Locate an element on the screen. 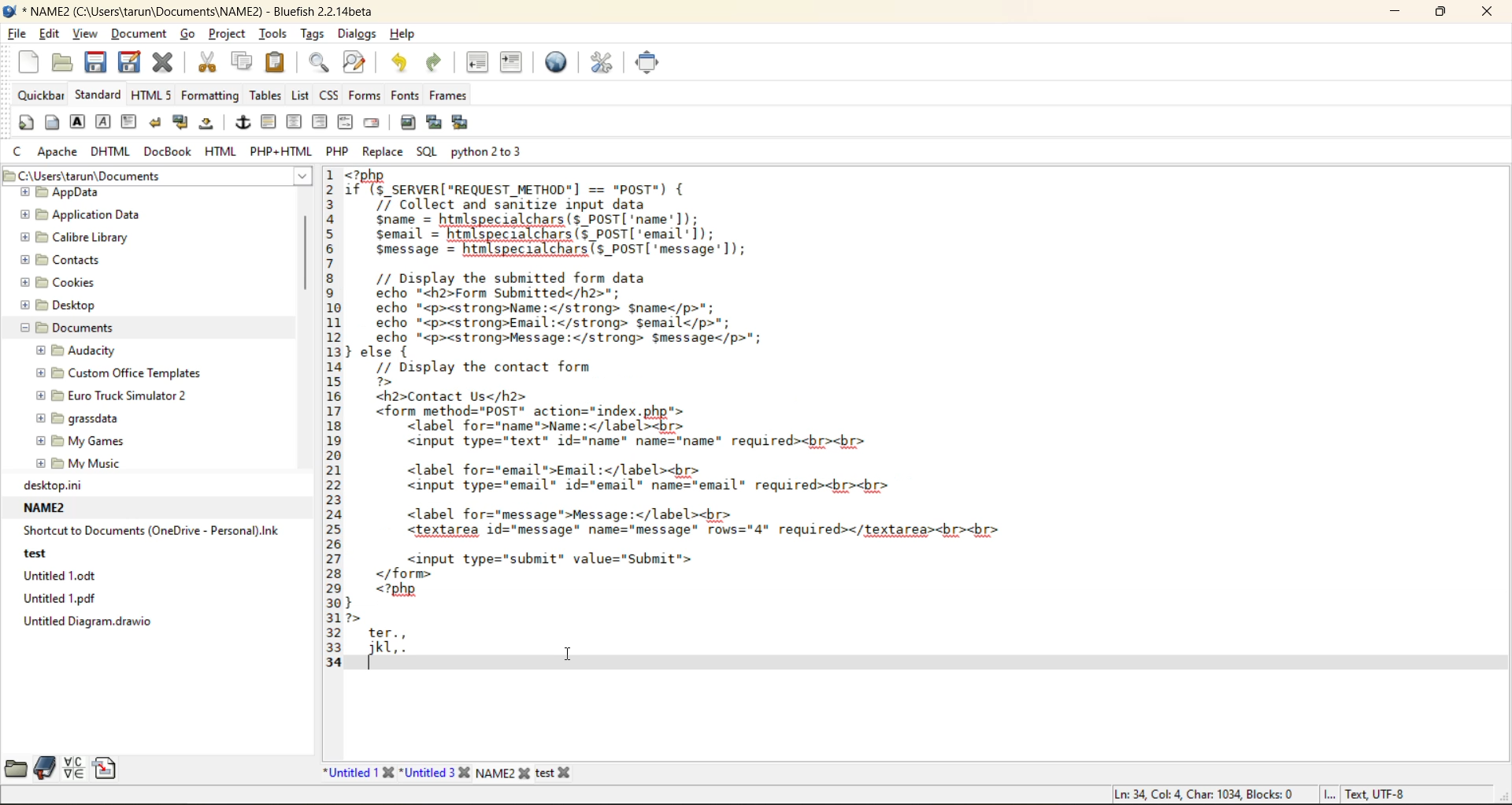 This screenshot has width=1512, height=805. find is located at coordinates (319, 63).